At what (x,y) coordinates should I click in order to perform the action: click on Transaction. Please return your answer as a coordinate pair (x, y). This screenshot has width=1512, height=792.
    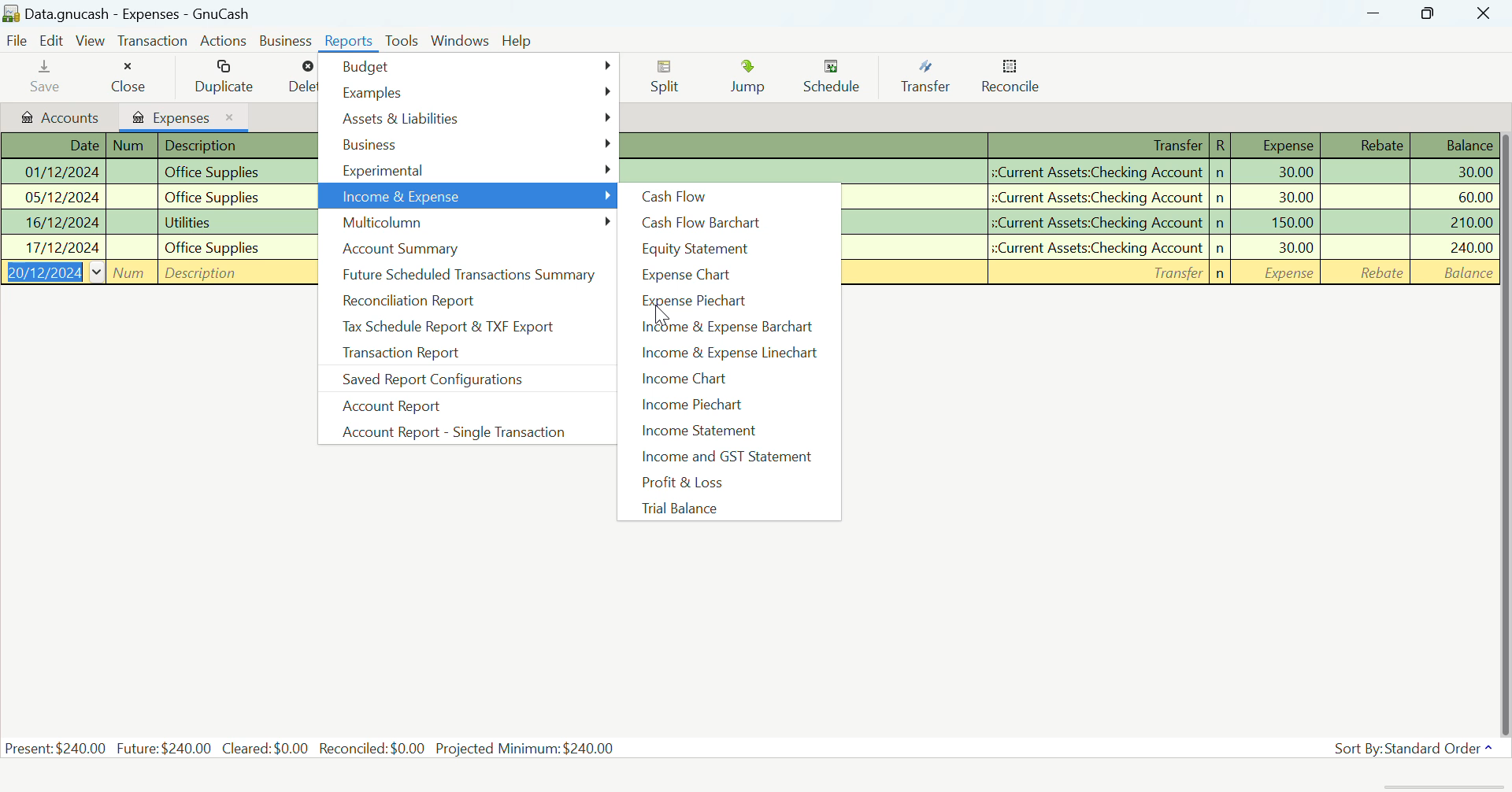
    Looking at the image, I should click on (152, 41).